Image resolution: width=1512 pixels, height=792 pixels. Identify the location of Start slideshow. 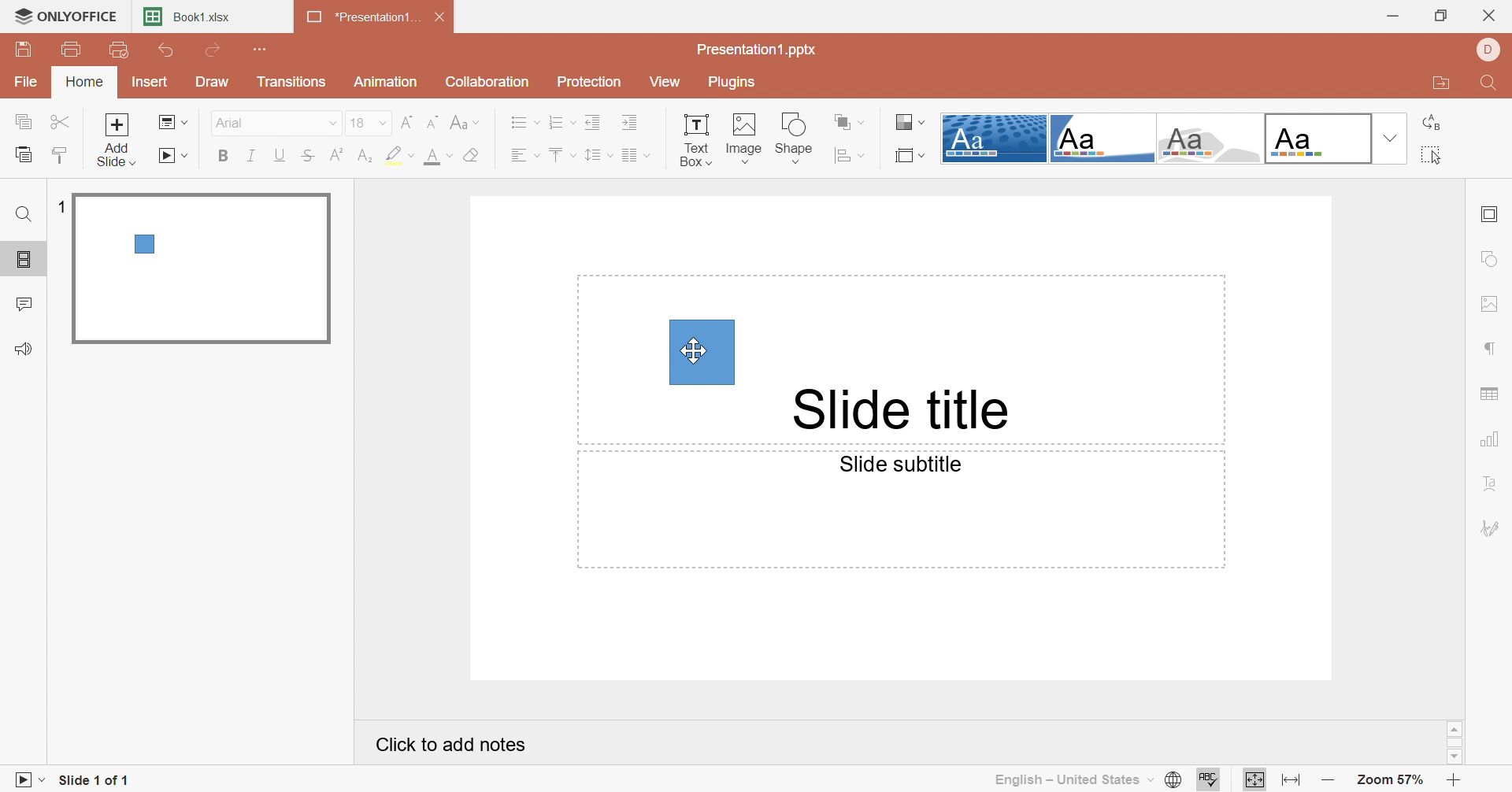
(174, 156).